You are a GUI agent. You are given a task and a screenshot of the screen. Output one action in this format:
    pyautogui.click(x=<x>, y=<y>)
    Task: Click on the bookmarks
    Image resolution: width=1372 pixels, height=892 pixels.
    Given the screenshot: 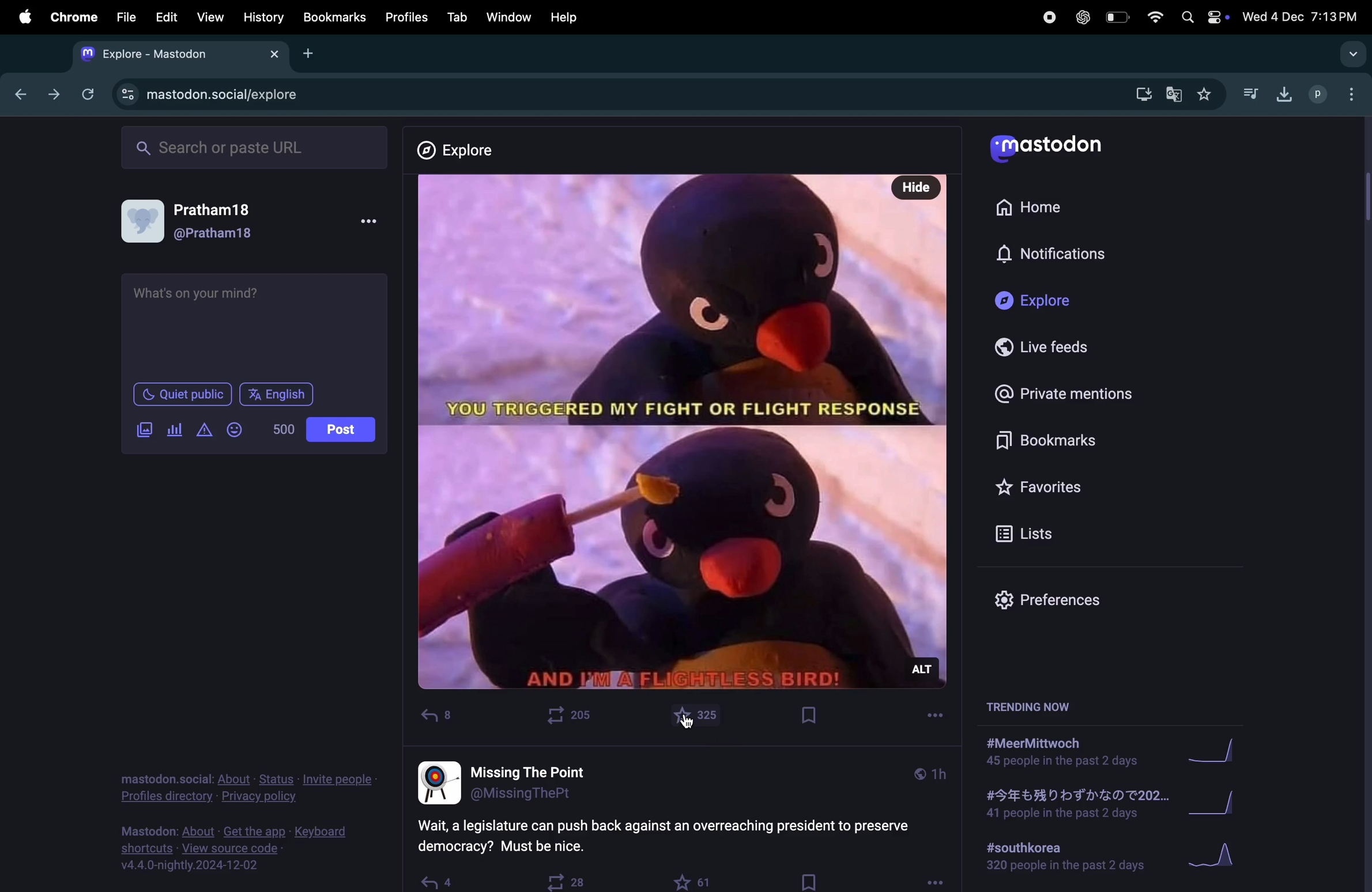 What is the action you would take?
    pyautogui.click(x=1060, y=439)
    